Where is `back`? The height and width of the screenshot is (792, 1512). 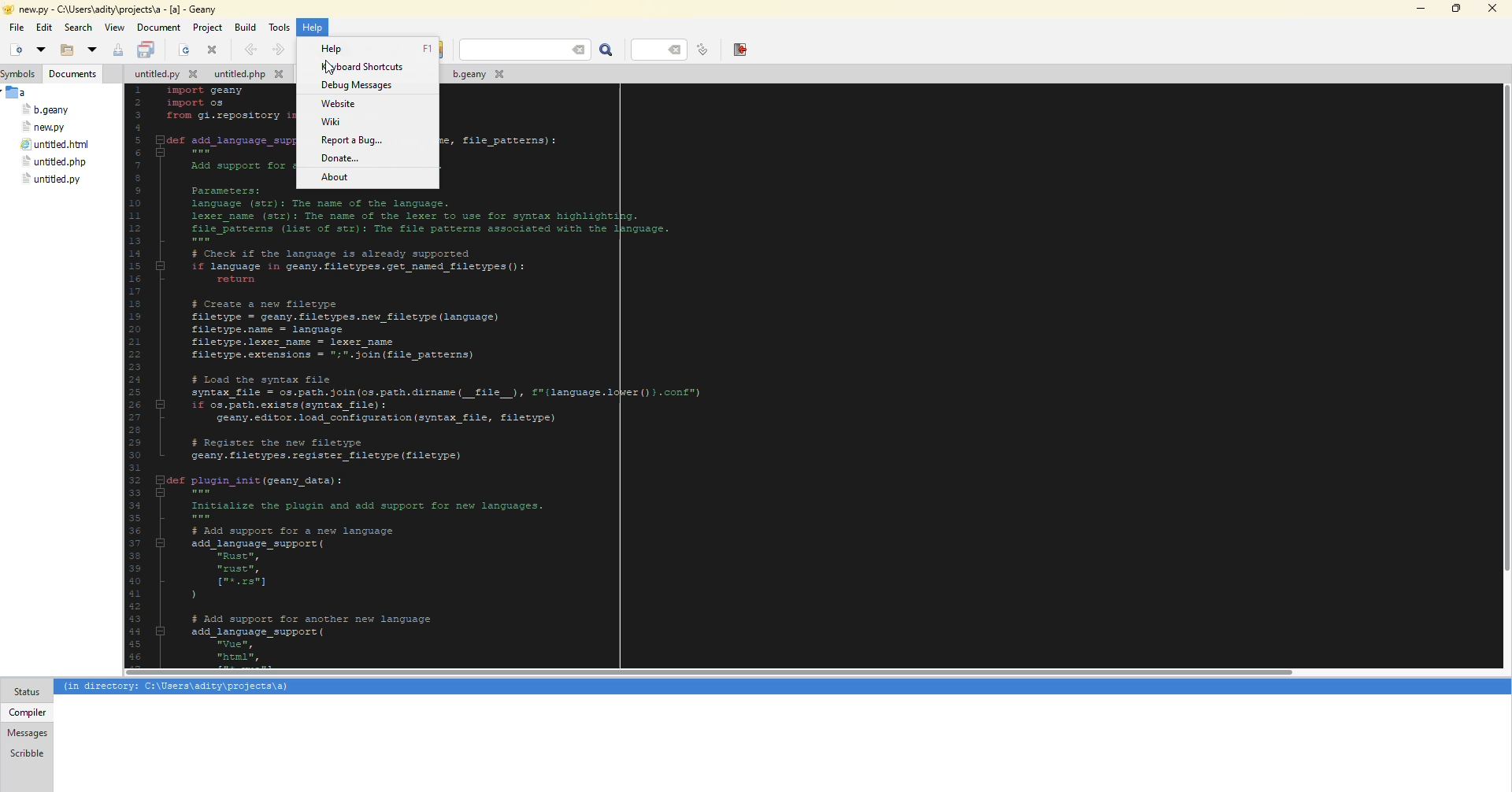
back is located at coordinates (249, 49).